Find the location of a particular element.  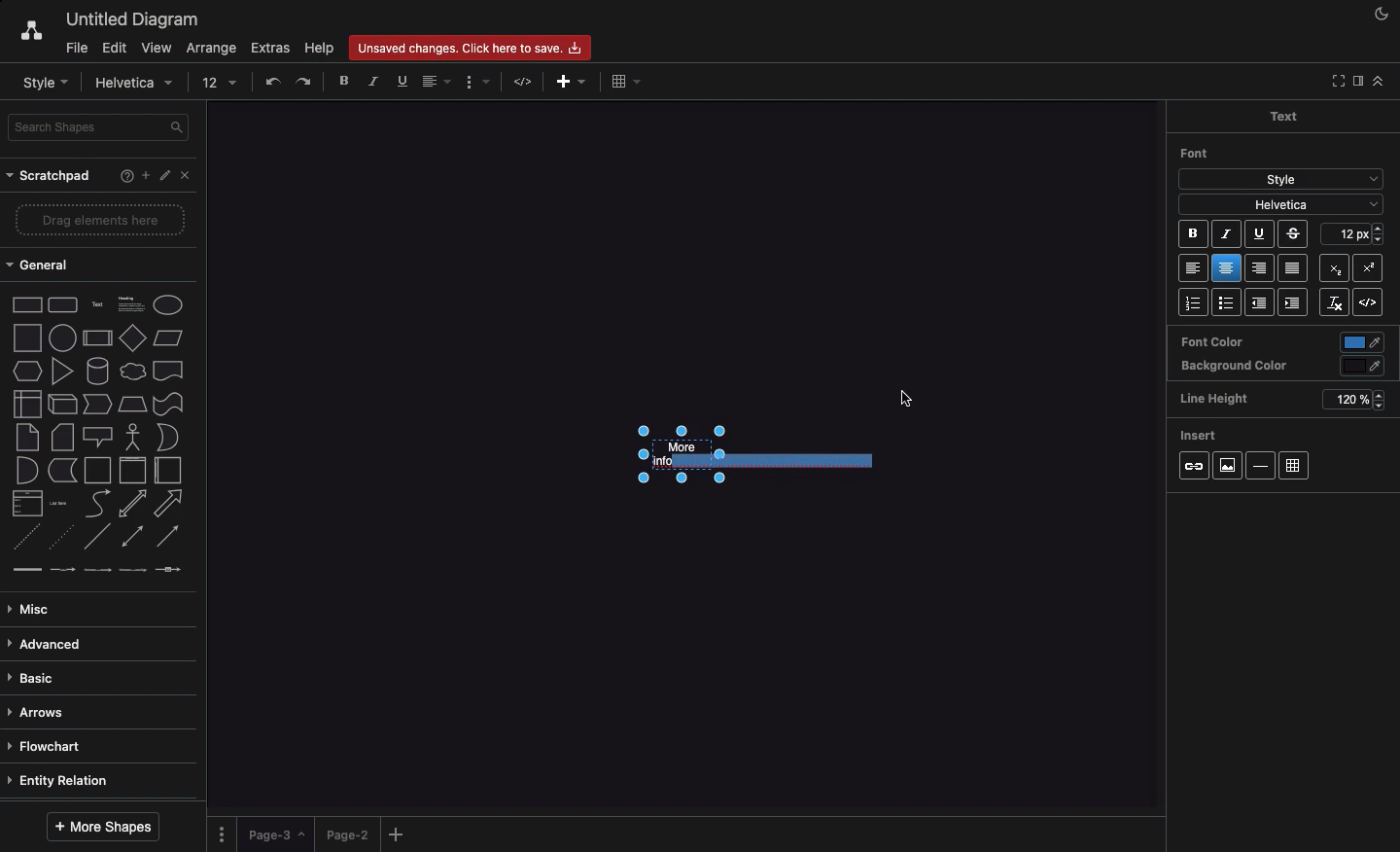

Flowchart is located at coordinates (53, 747).